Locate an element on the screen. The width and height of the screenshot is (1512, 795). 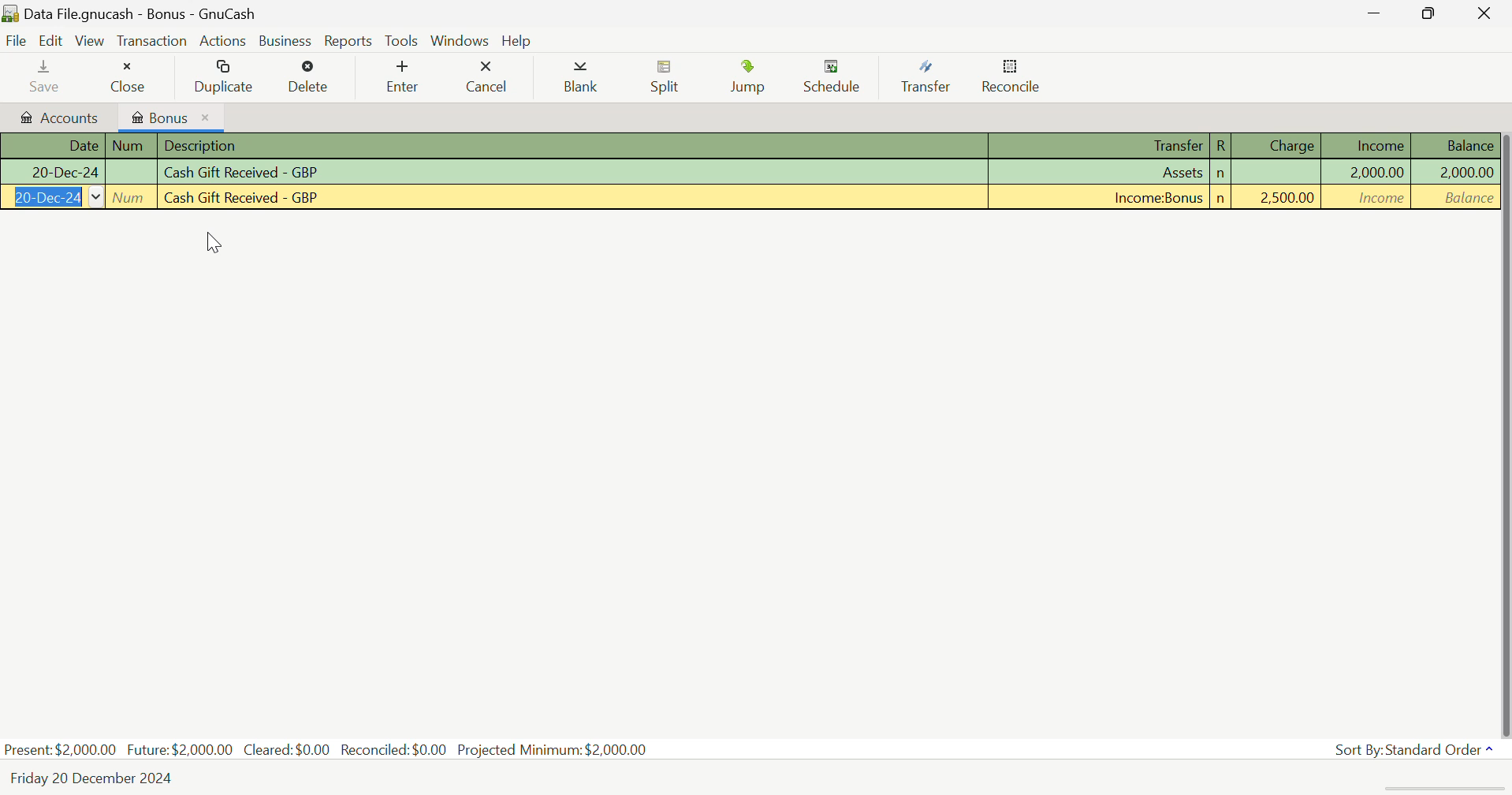
Scroll Bar is located at coordinates (1503, 429).